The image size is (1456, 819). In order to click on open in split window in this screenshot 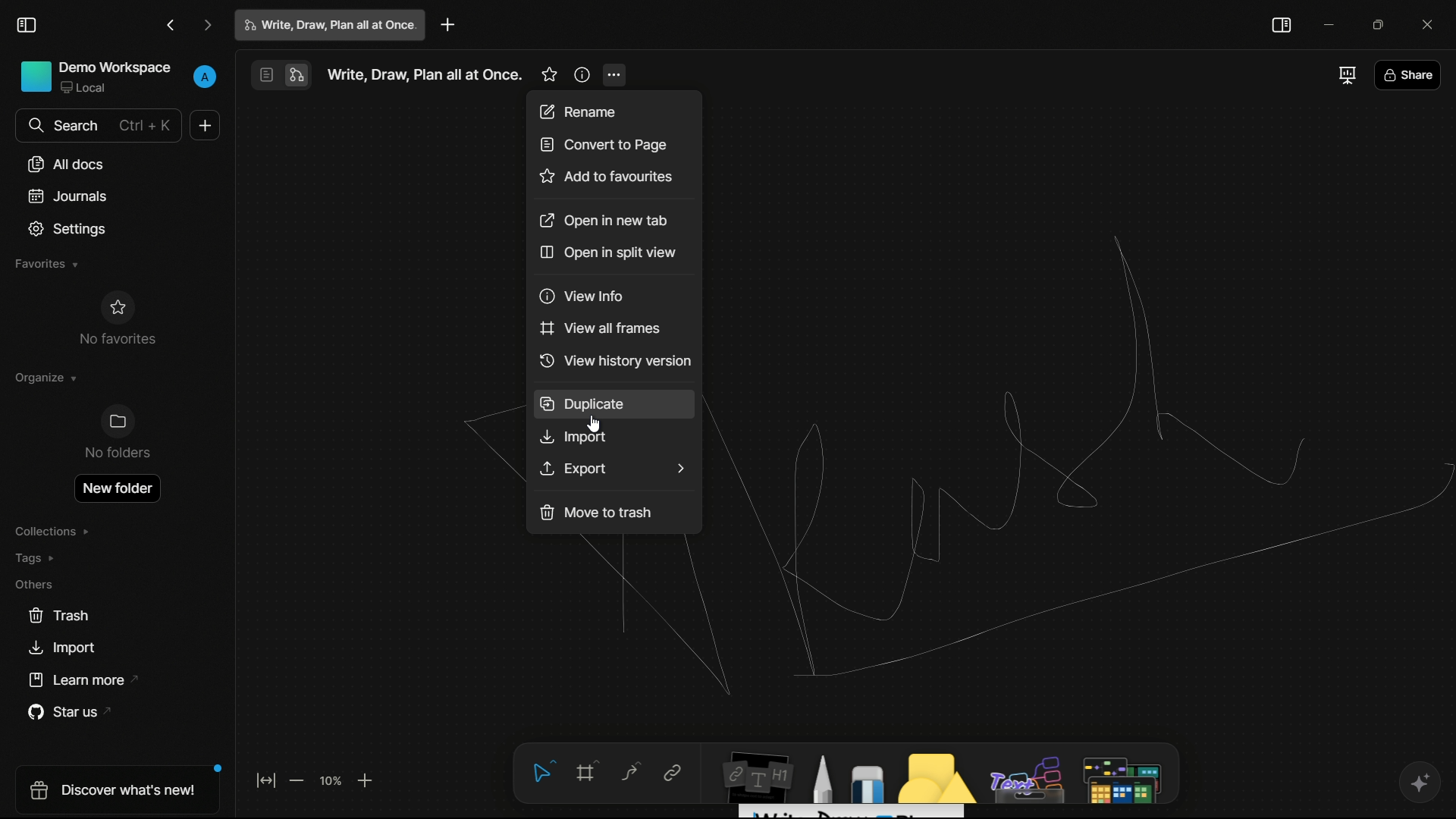, I will do `click(608, 253)`.